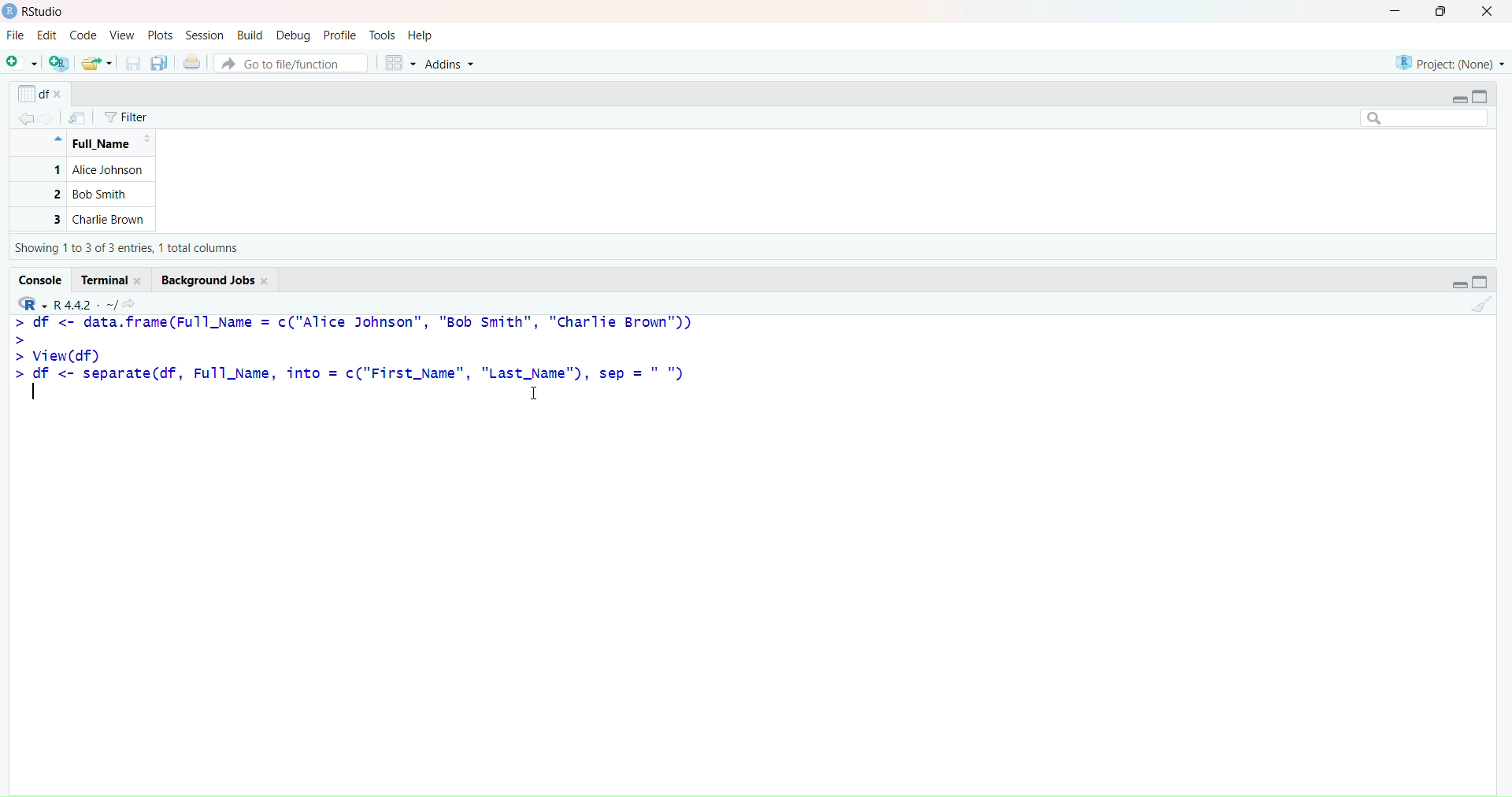 This screenshot has height=797, width=1512. What do you see at coordinates (77, 118) in the screenshot?
I see `Show in new window` at bounding box center [77, 118].